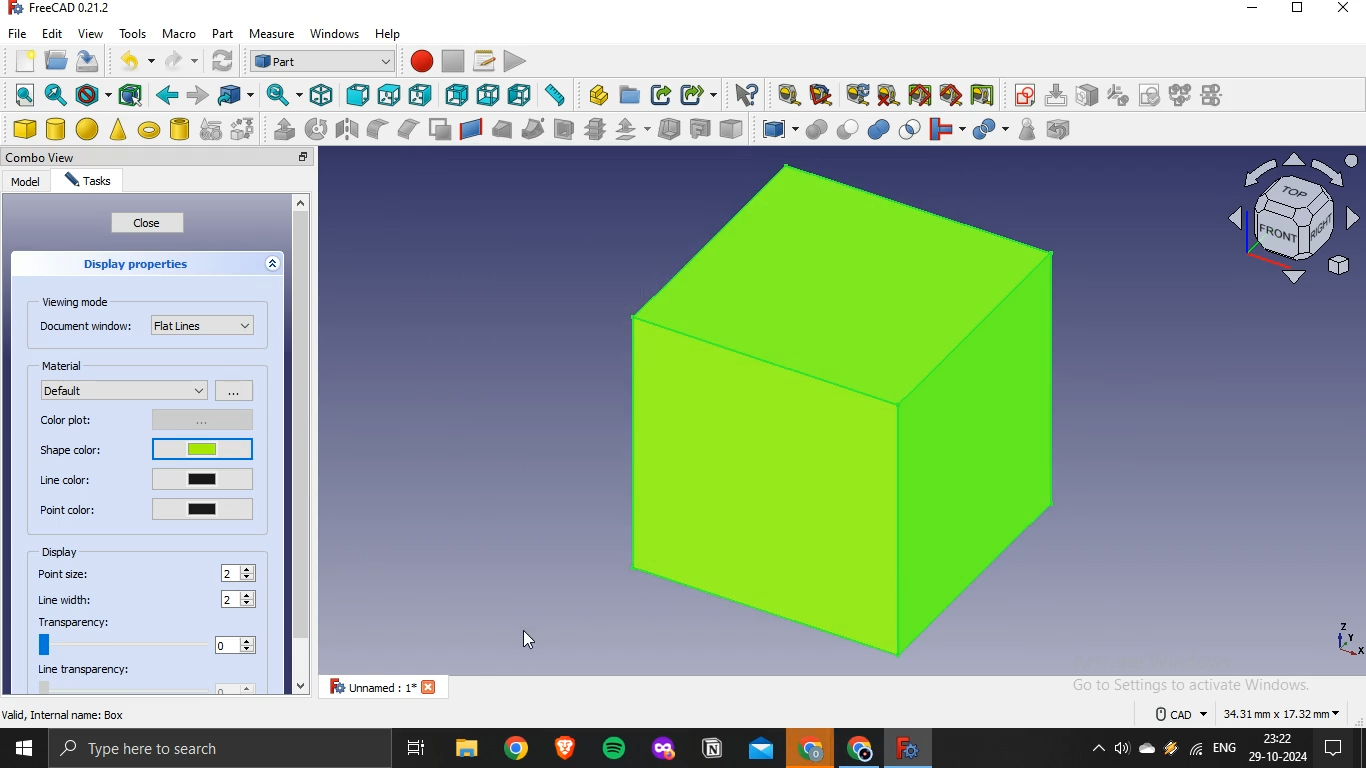 Image resolution: width=1366 pixels, height=768 pixels. I want to click on what's this, so click(746, 95).